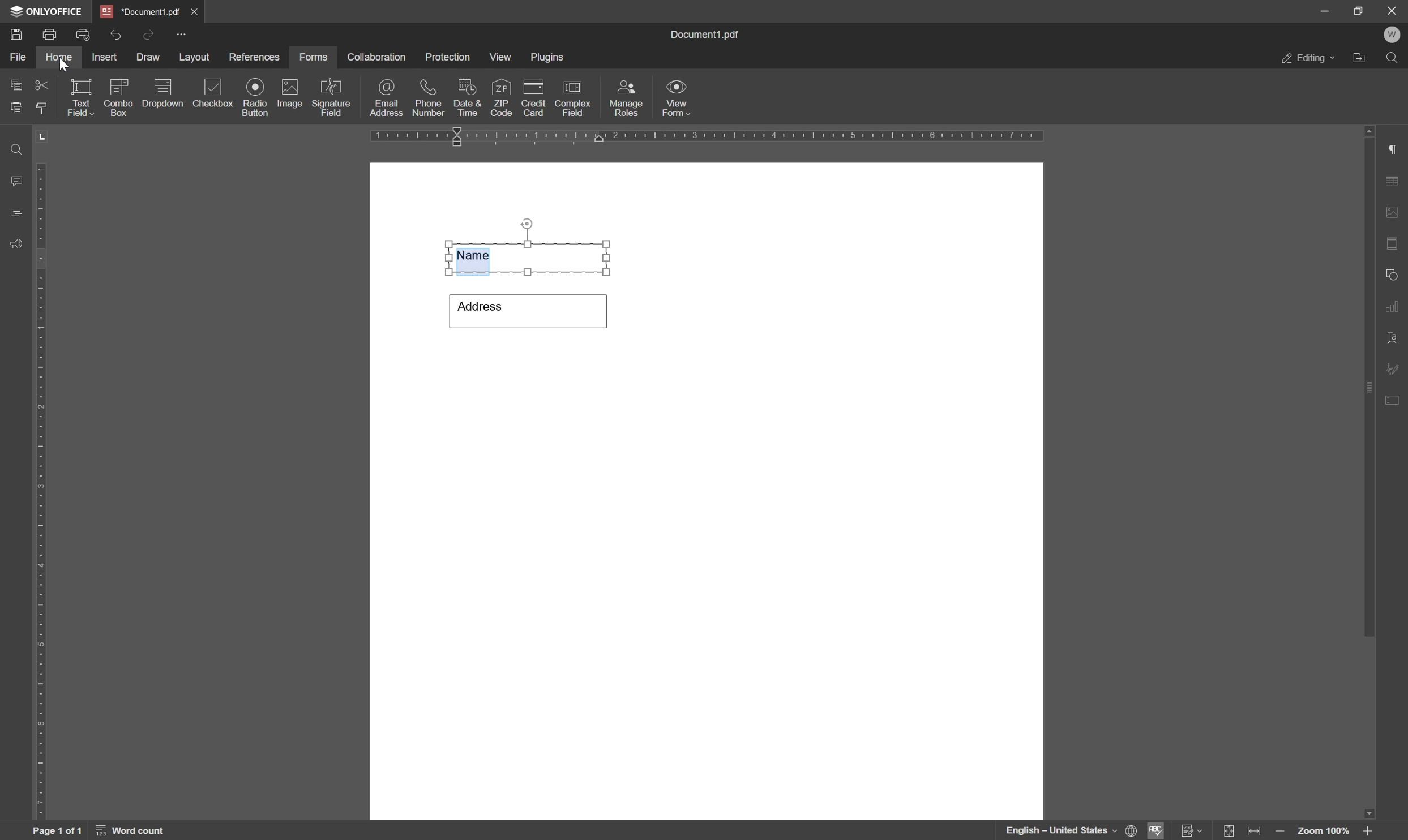 Image resolution: width=1408 pixels, height=840 pixels. I want to click on complex field, so click(573, 97).